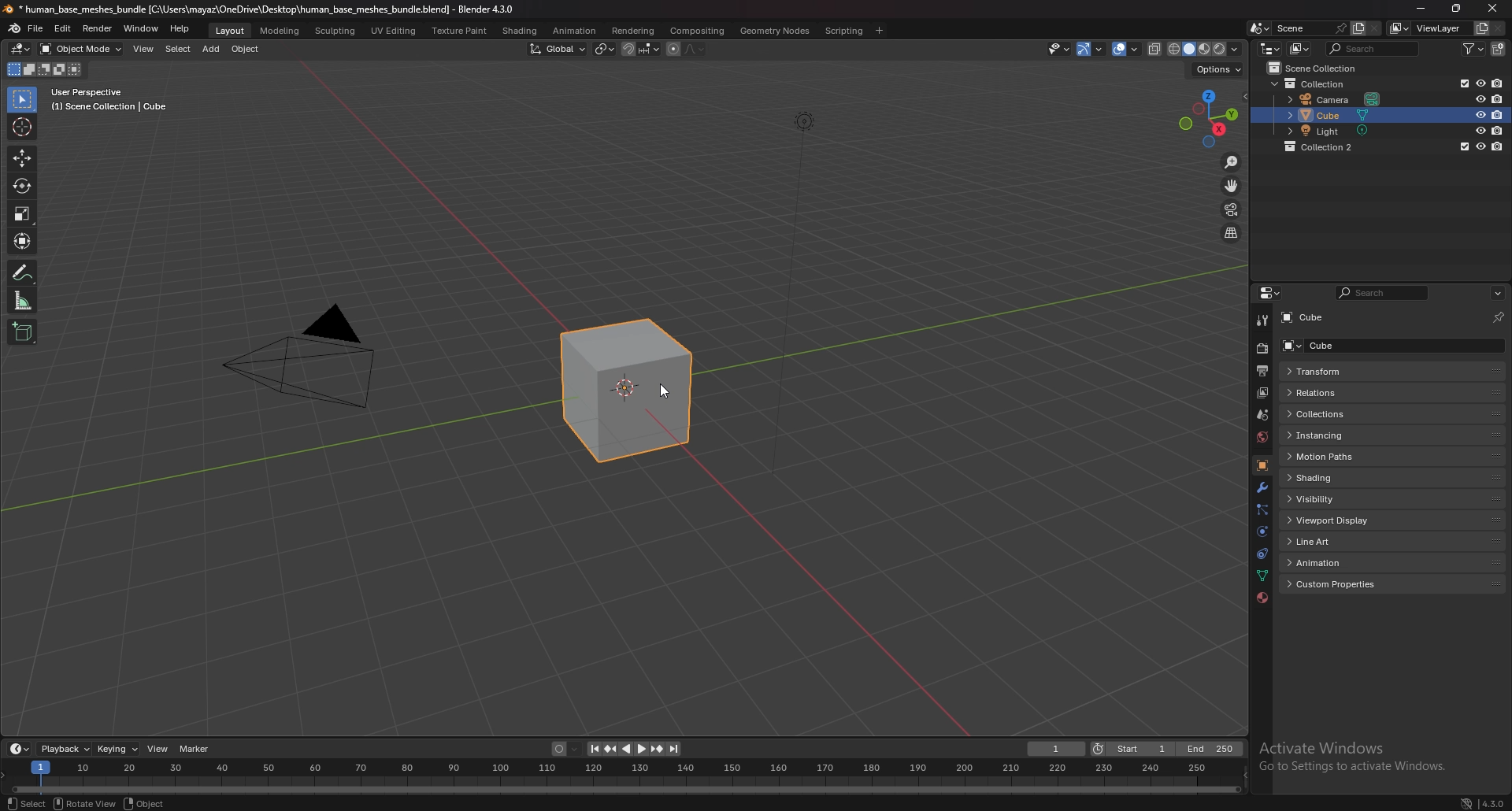  I want to click on auto keying, so click(567, 749).